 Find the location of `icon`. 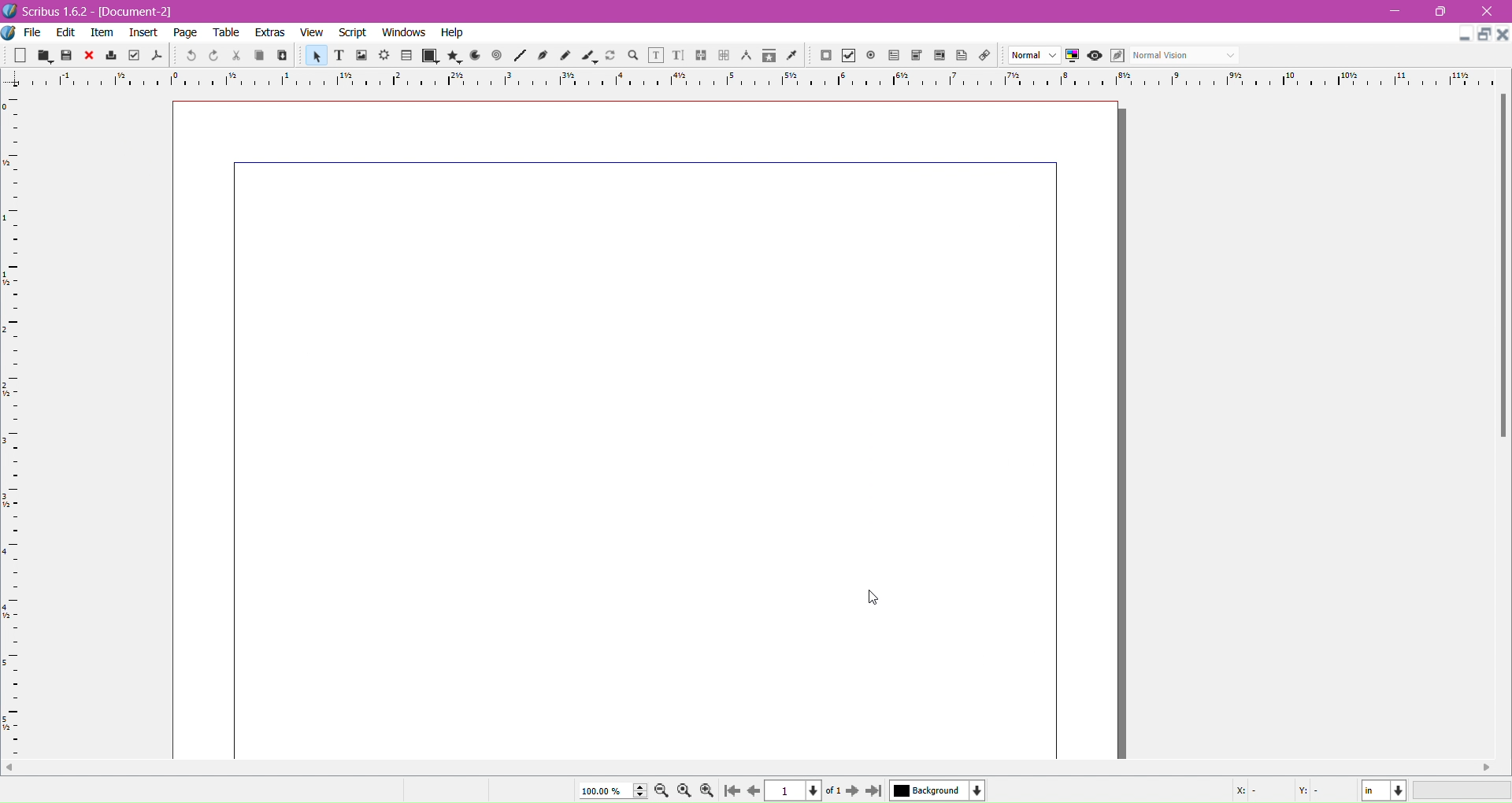

icon is located at coordinates (769, 58).